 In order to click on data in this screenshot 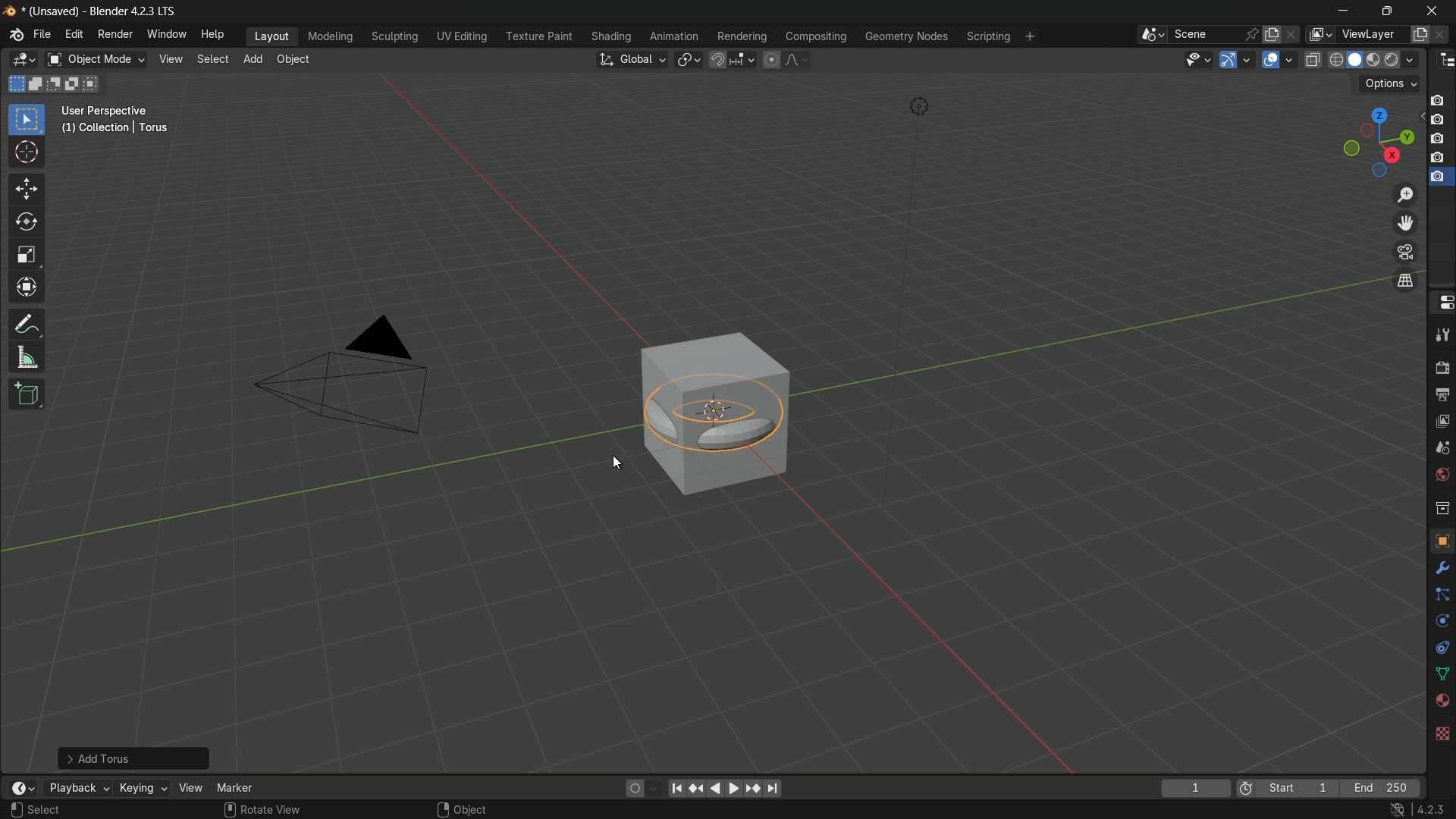, I will do `click(1439, 675)`.